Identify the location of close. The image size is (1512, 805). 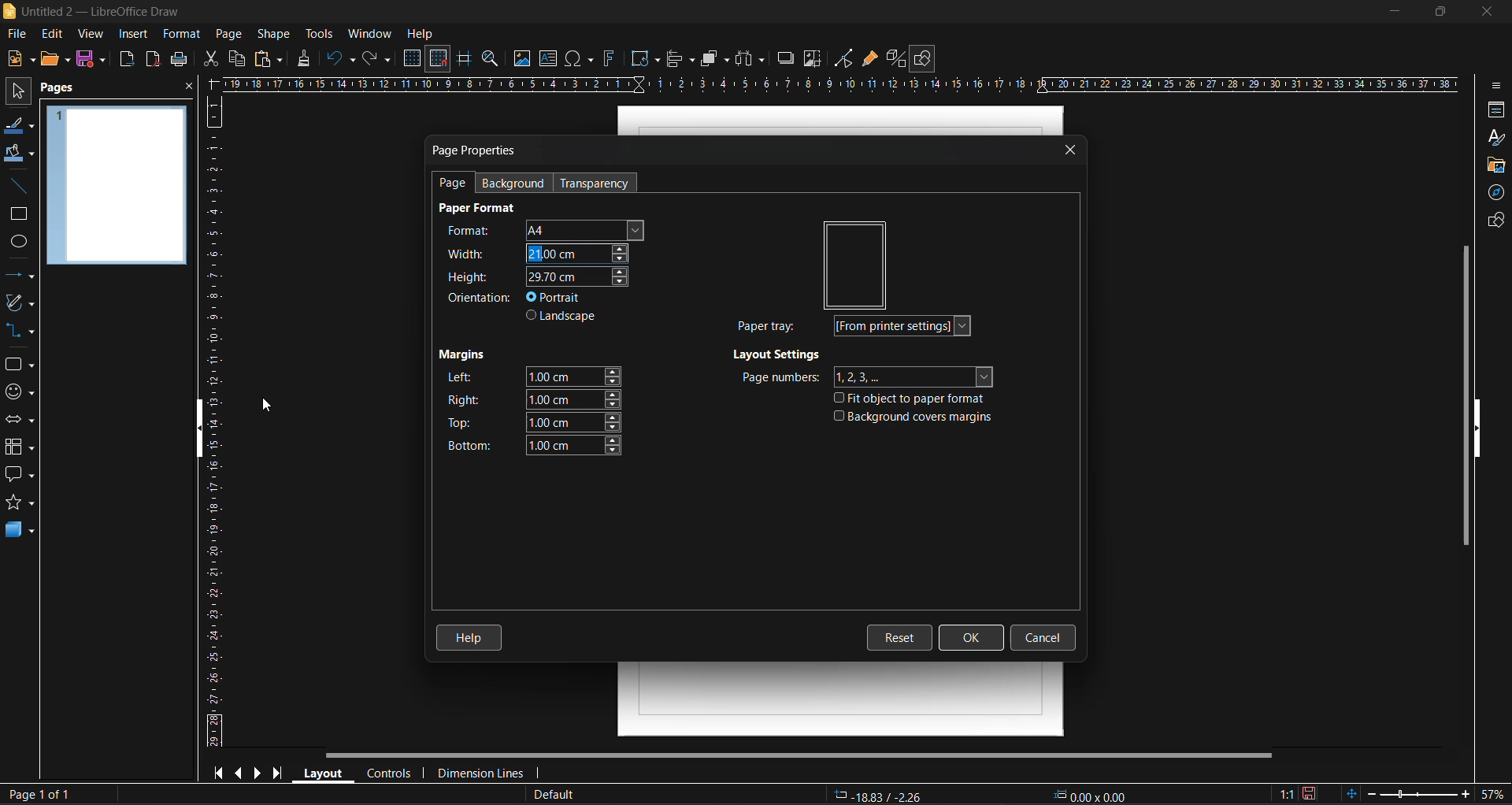
(1072, 150).